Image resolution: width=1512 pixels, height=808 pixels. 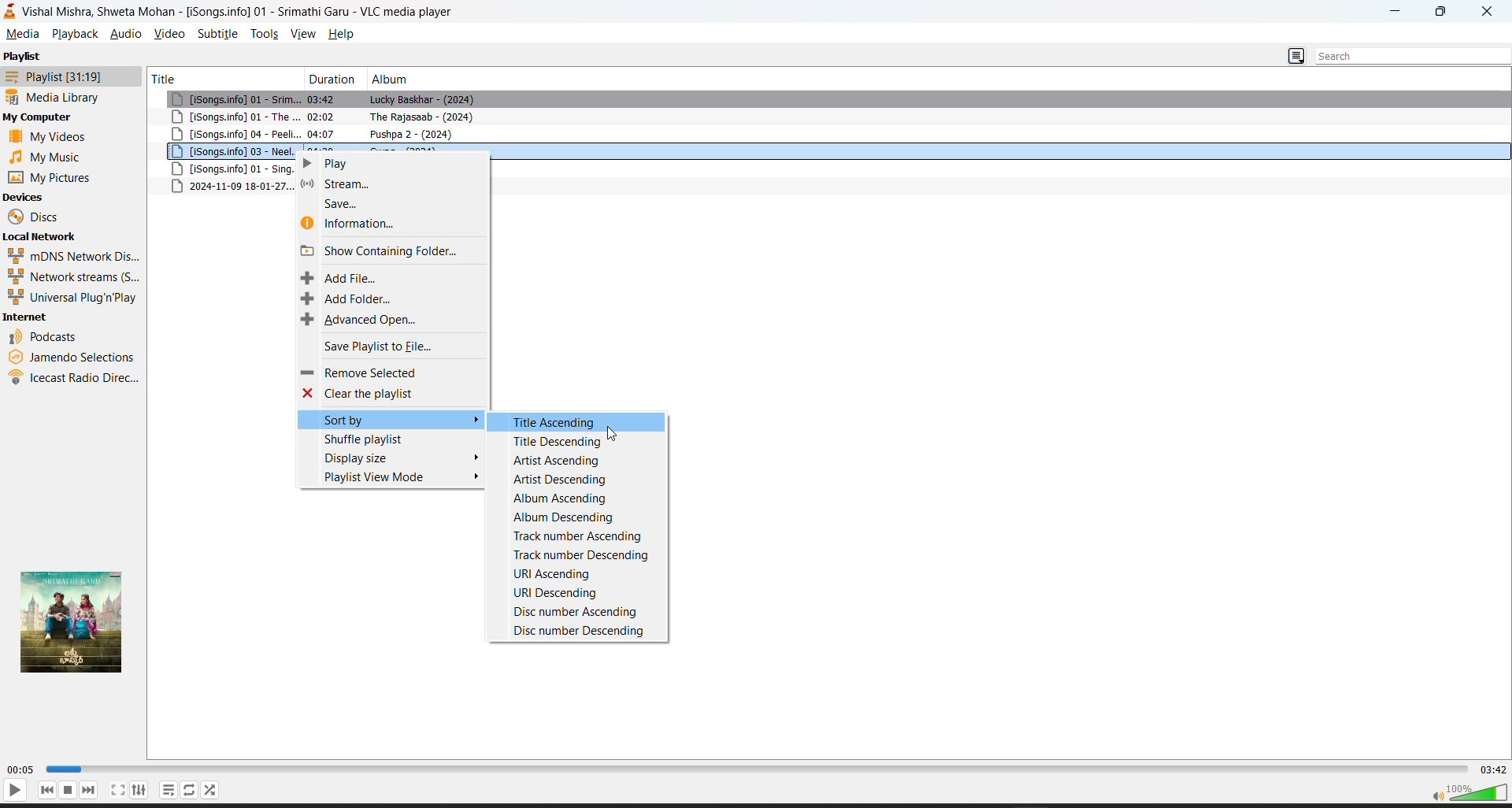 I want to click on shuffle playlist, so click(x=391, y=439).